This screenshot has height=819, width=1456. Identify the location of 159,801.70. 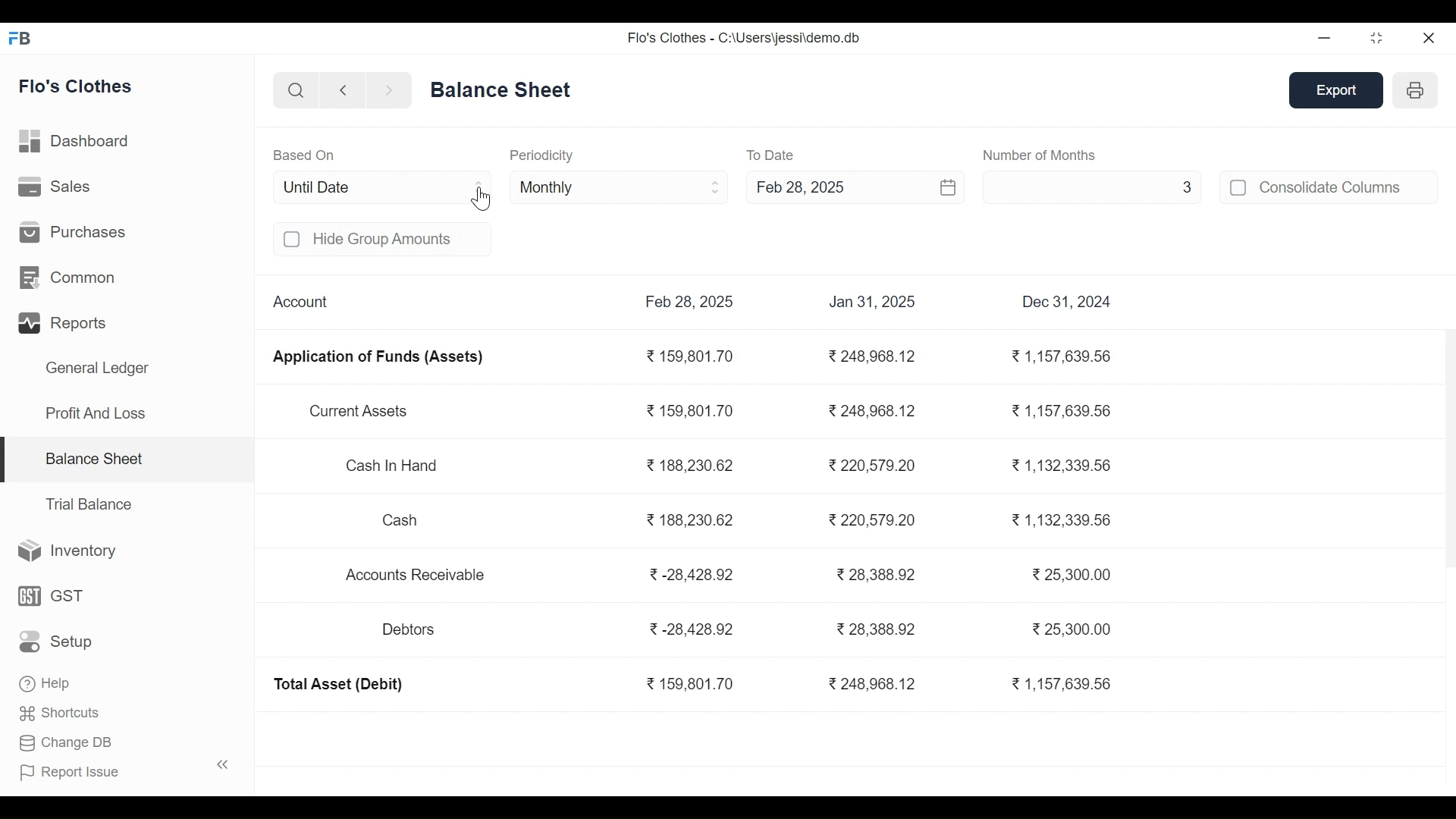
(690, 685).